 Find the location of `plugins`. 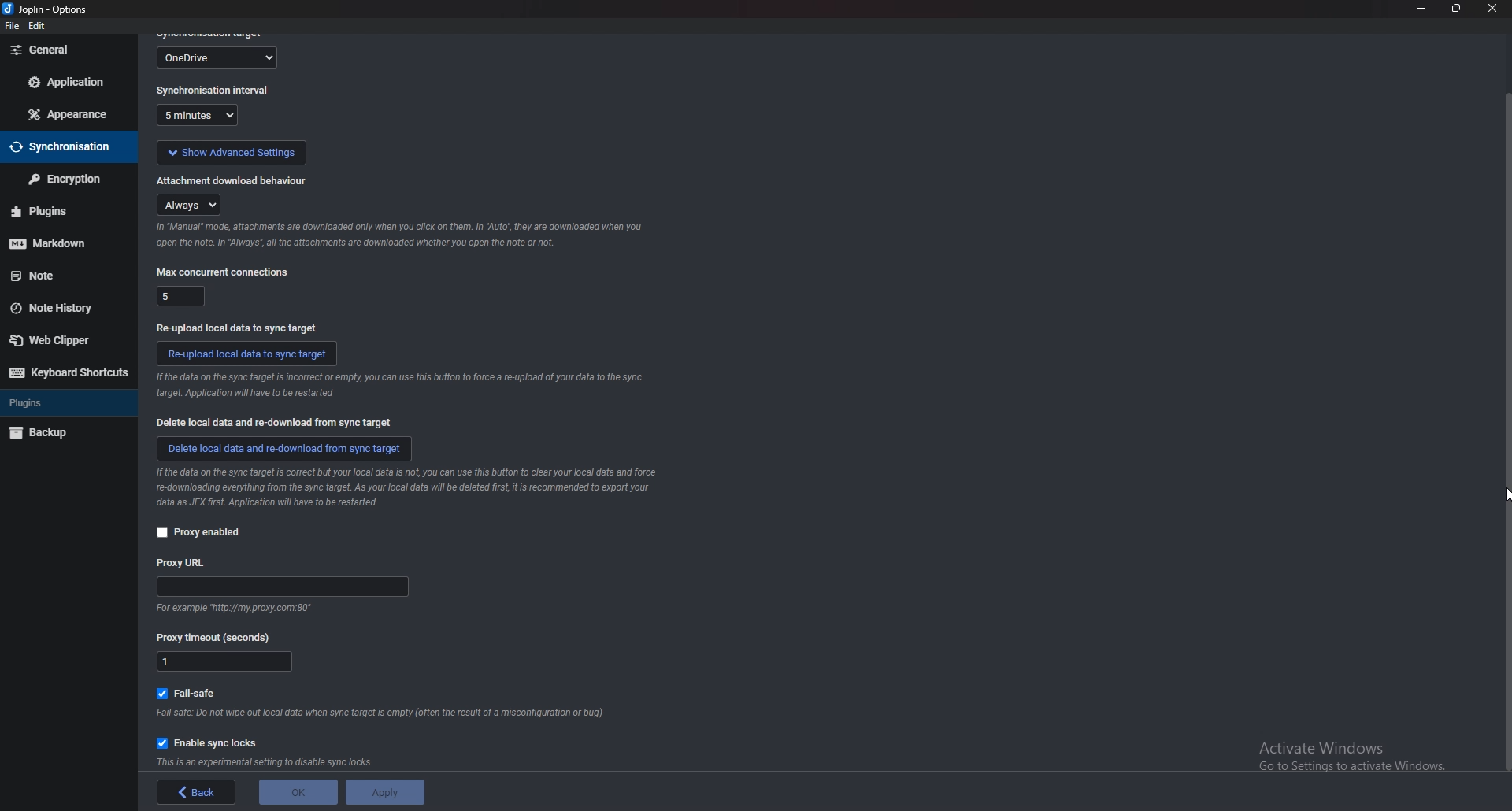

plugins is located at coordinates (61, 405).